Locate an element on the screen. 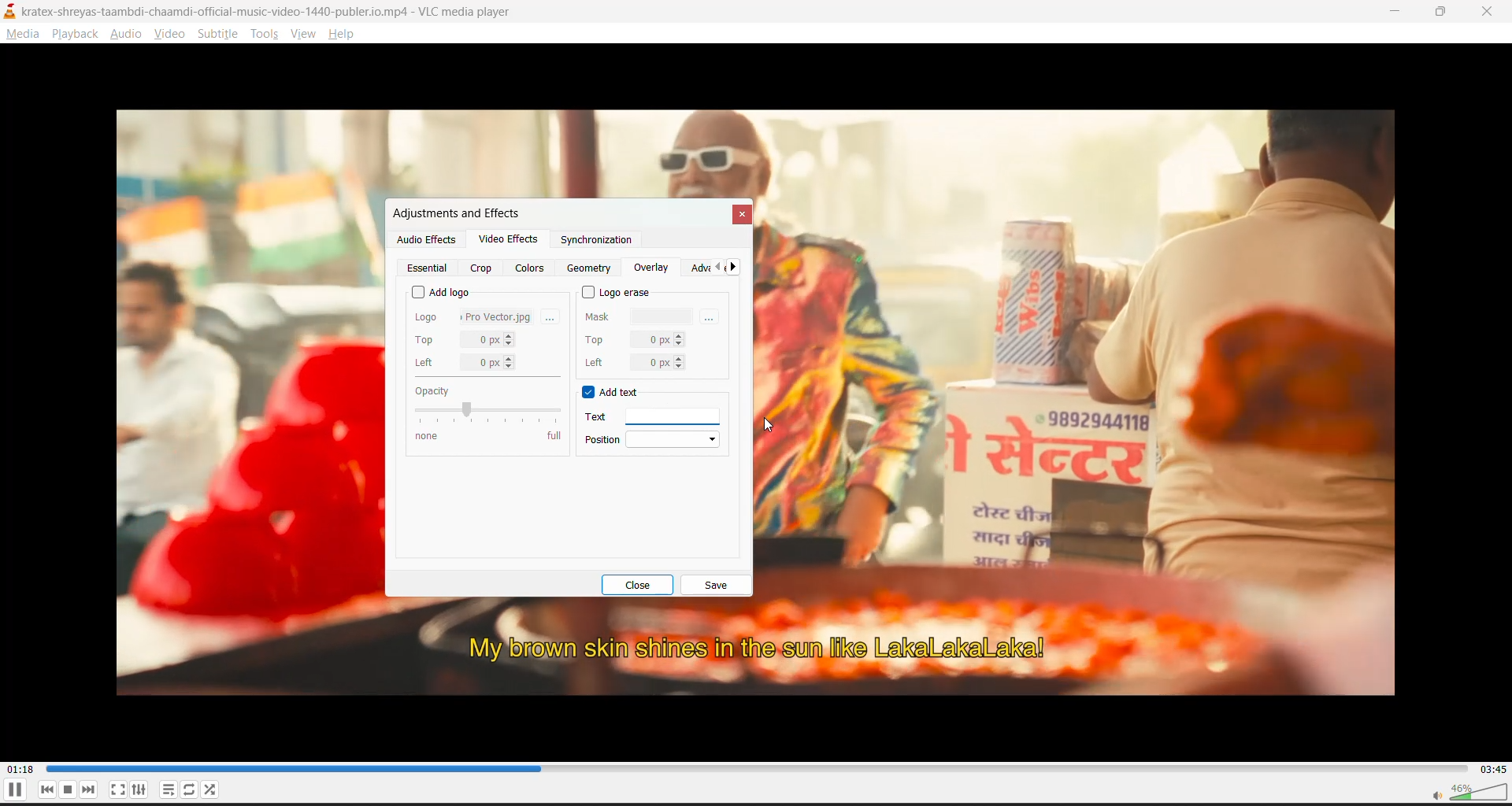  close is located at coordinates (1488, 13).